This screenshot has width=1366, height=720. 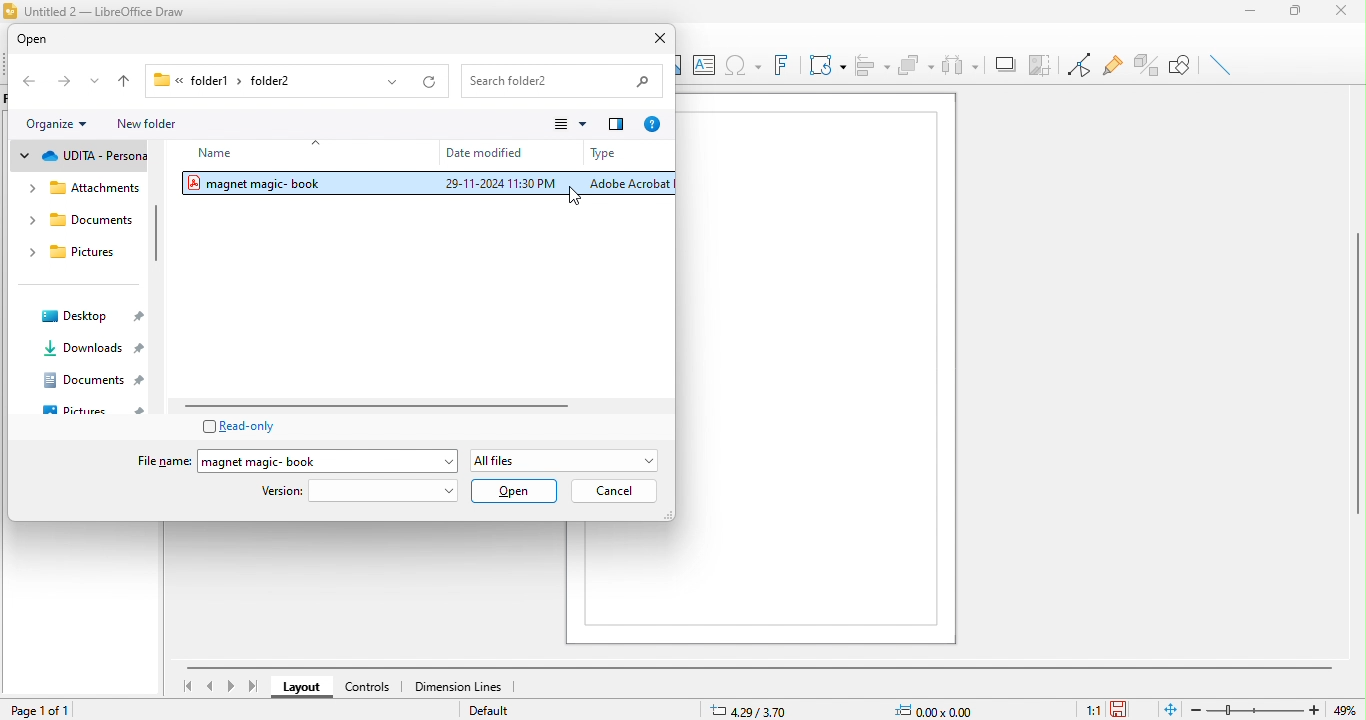 What do you see at coordinates (81, 190) in the screenshot?
I see `attachments` at bounding box center [81, 190].